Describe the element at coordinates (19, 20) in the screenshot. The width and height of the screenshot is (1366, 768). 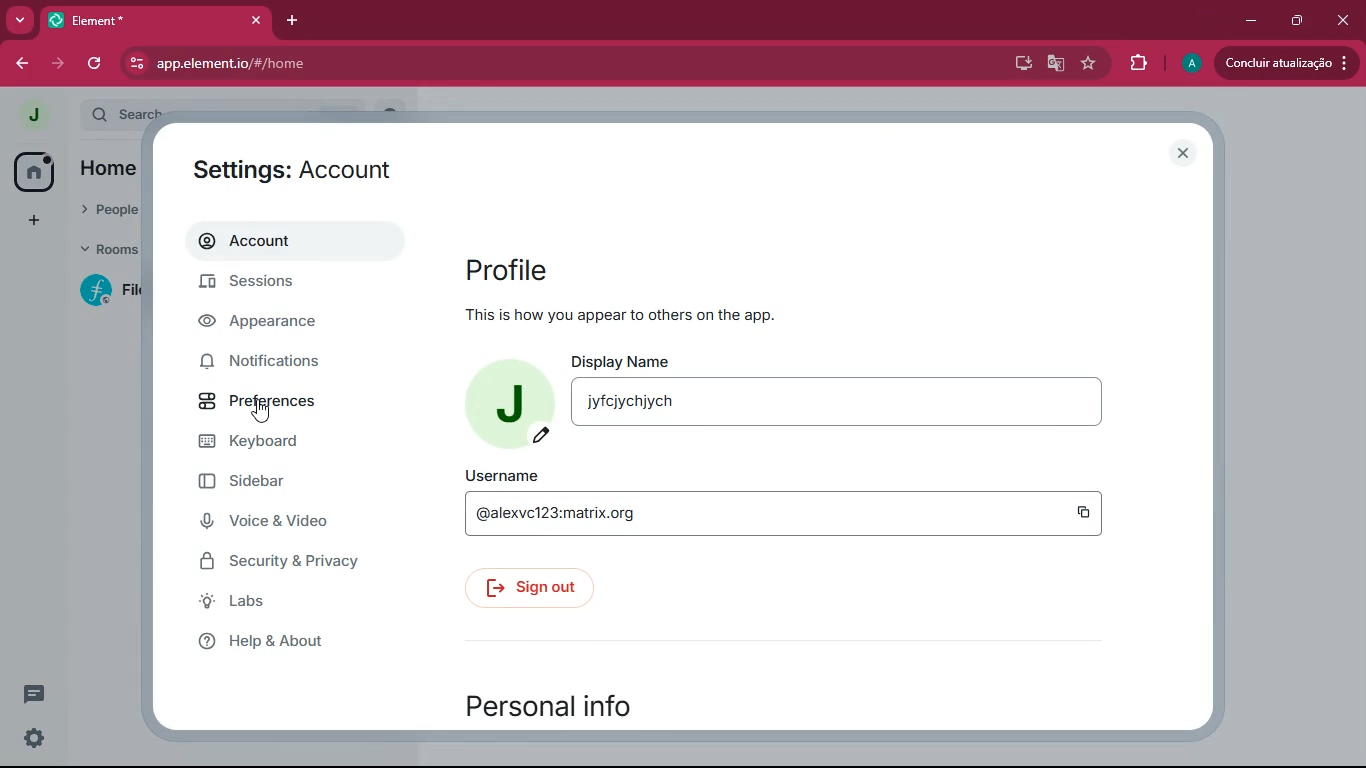
I see `more` at that location.